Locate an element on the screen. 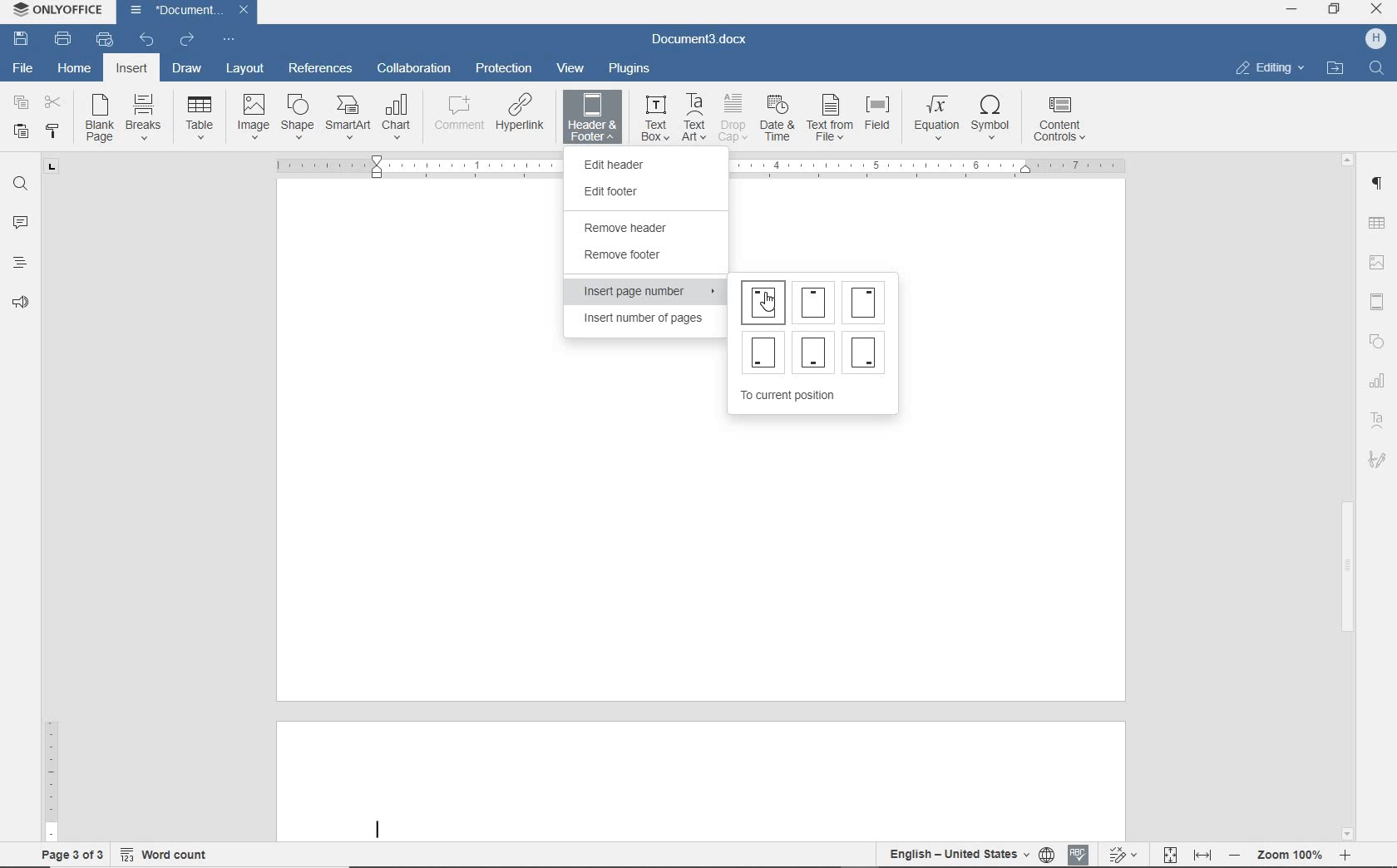 The width and height of the screenshot is (1397, 868). PRINT is located at coordinates (64, 39).